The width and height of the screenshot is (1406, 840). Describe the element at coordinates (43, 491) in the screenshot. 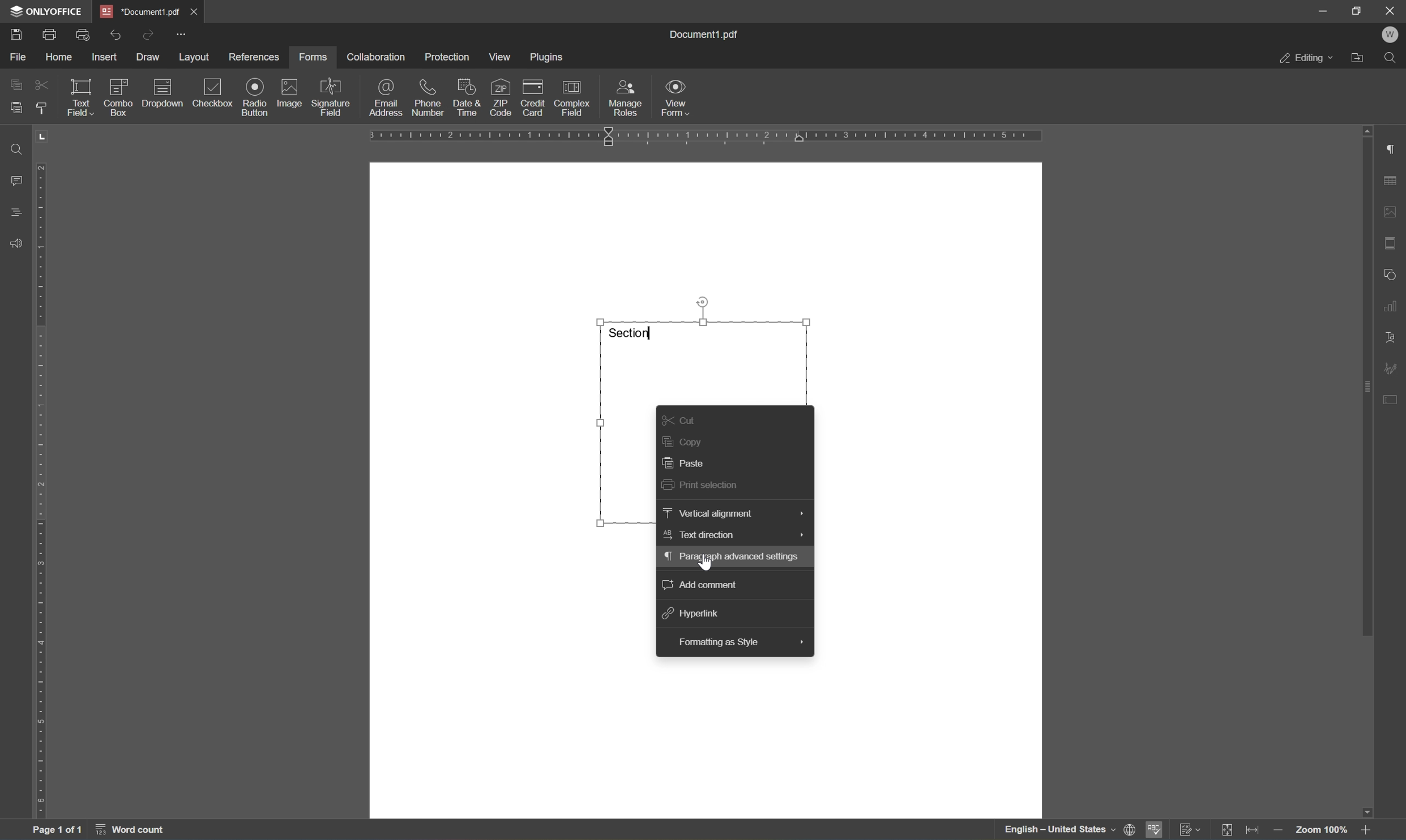

I see `ruler` at that location.